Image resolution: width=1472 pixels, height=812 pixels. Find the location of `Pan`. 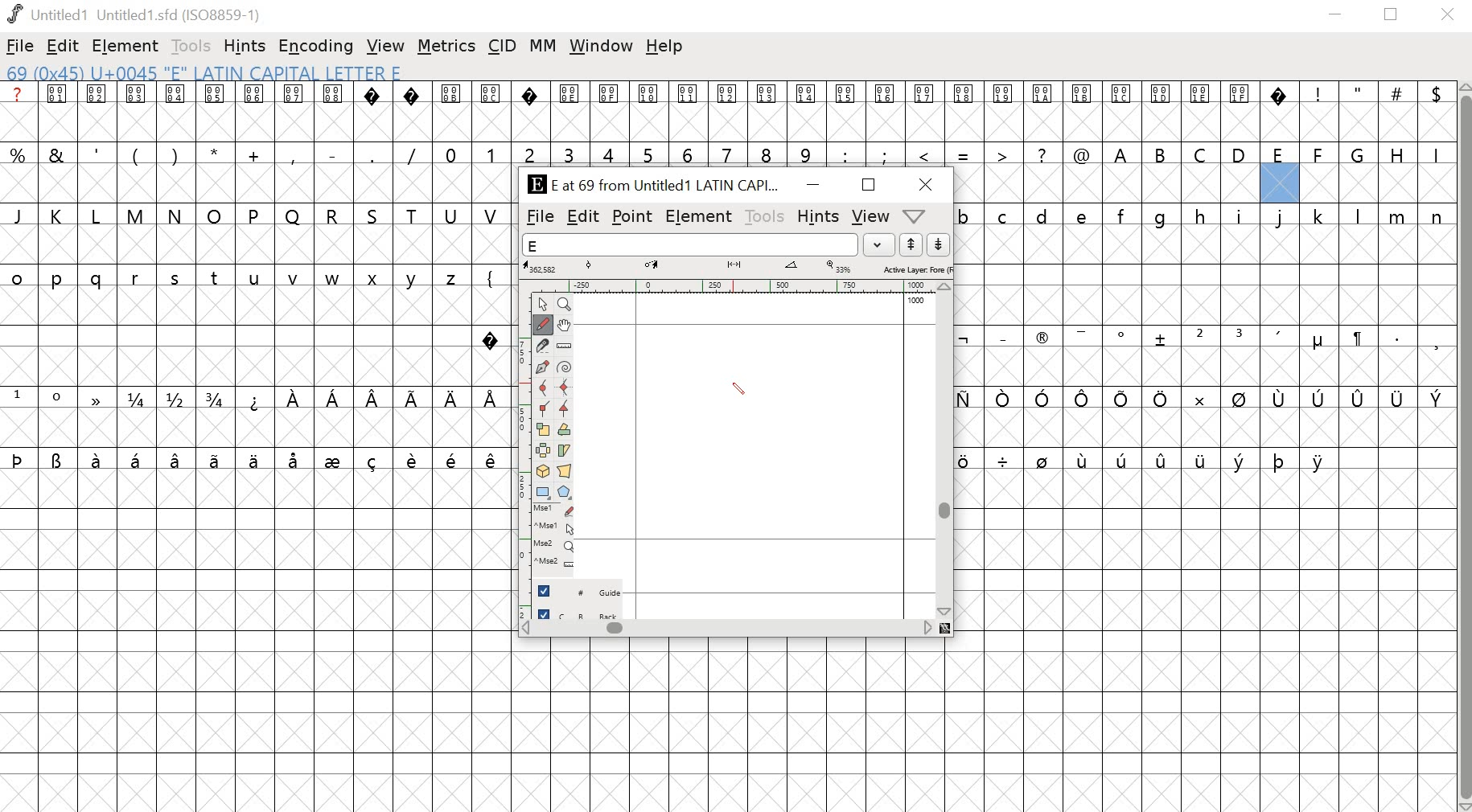

Pan is located at coordinates (567, 325).